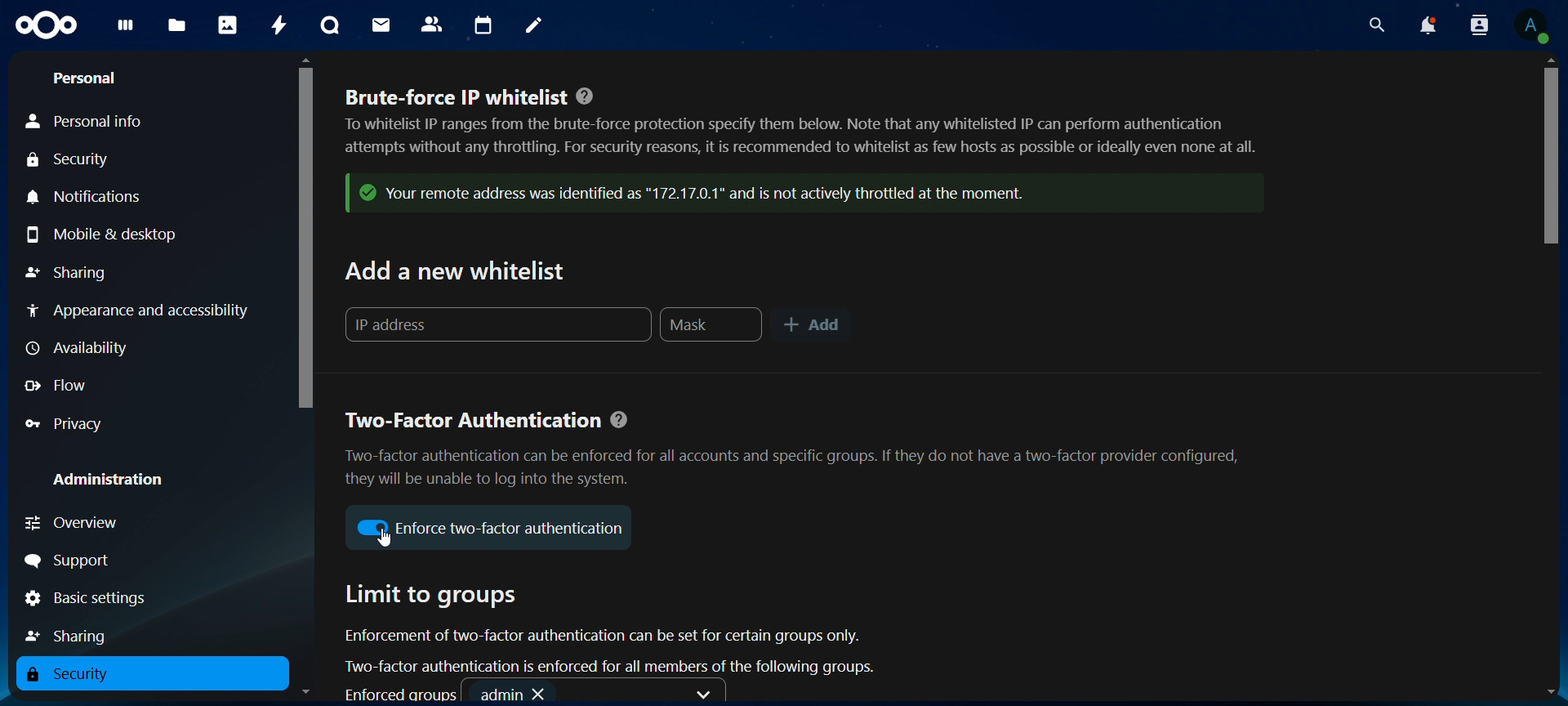 Image resolution: width=1568 pixels, height=706 pixels. What do you see at coordinates (175, 25) in the screenshot?
I see `files` at bounding box center [175, 25].